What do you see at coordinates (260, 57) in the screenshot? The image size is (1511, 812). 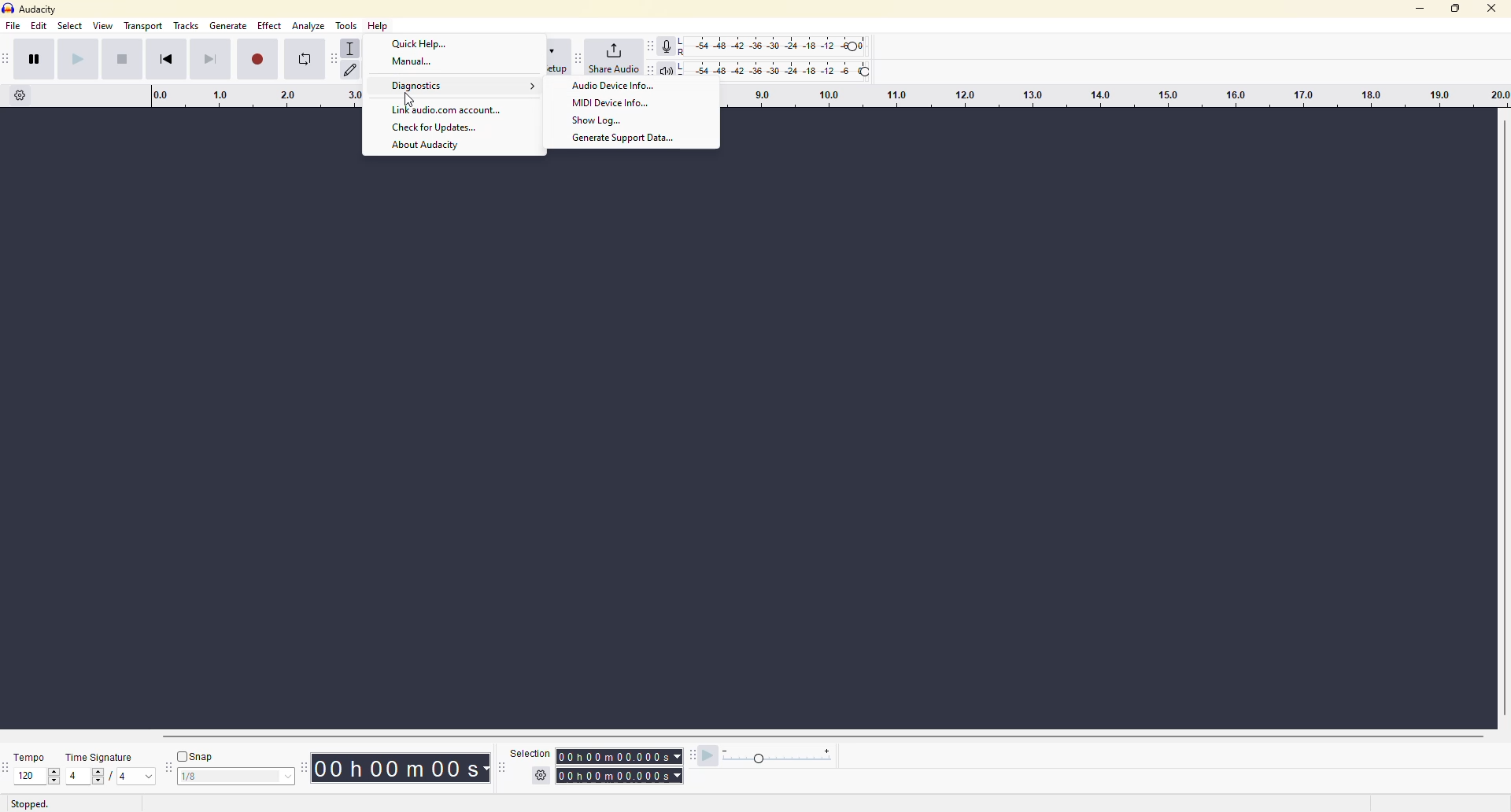 I see `record` at bounding box center [260, 57].